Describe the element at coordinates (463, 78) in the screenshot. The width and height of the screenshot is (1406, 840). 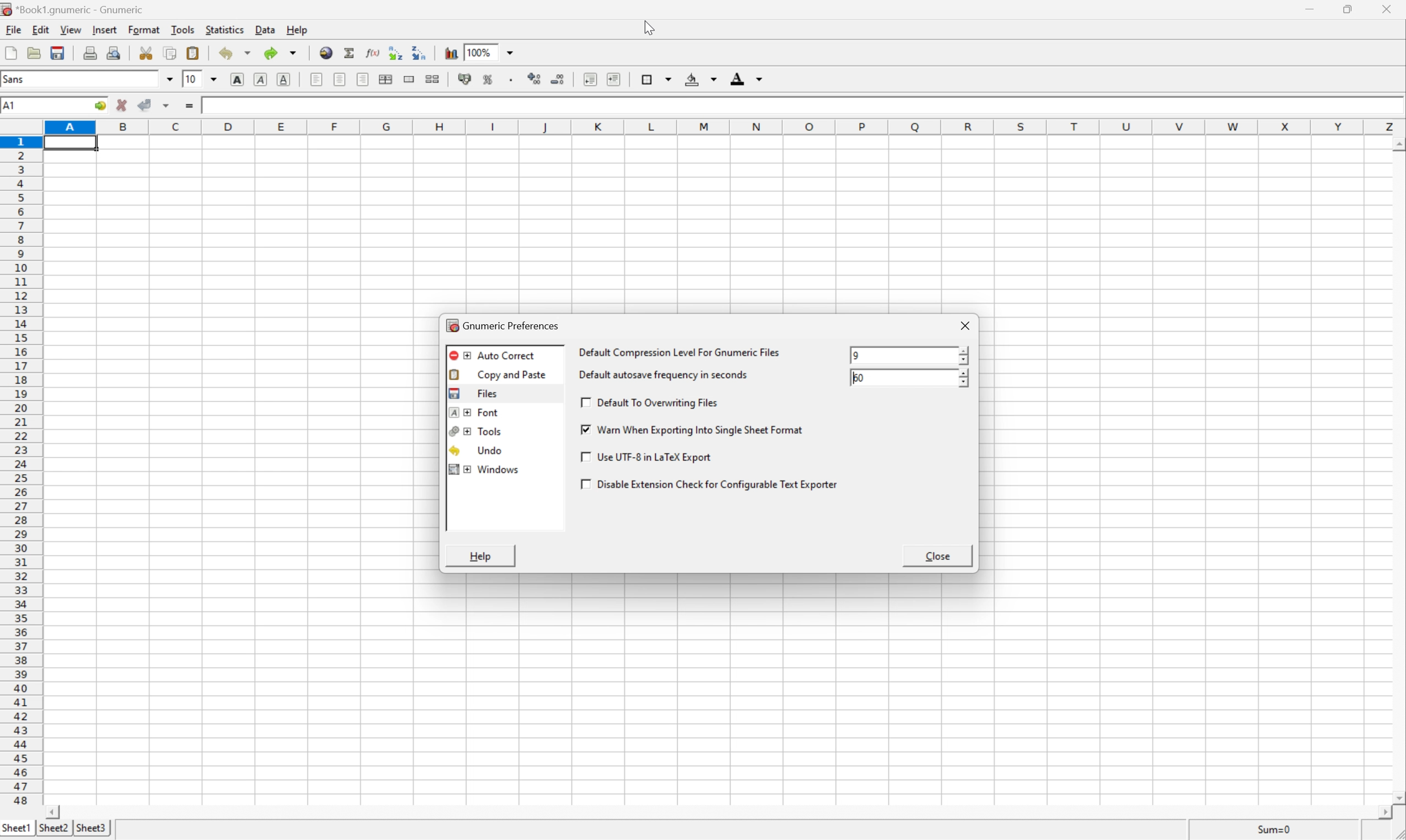
I see `format selection as accounting` at that location.